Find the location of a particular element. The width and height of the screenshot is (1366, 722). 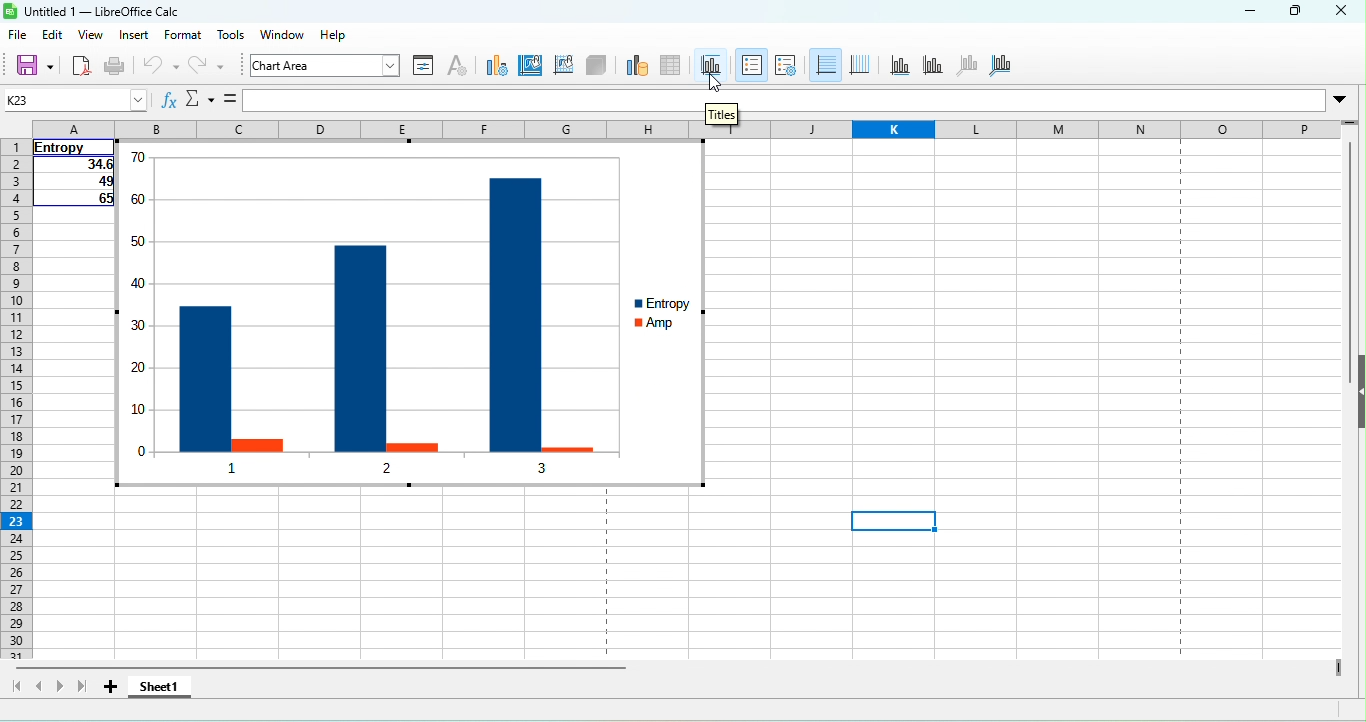

34.6 is located at coordinates (72, 166).